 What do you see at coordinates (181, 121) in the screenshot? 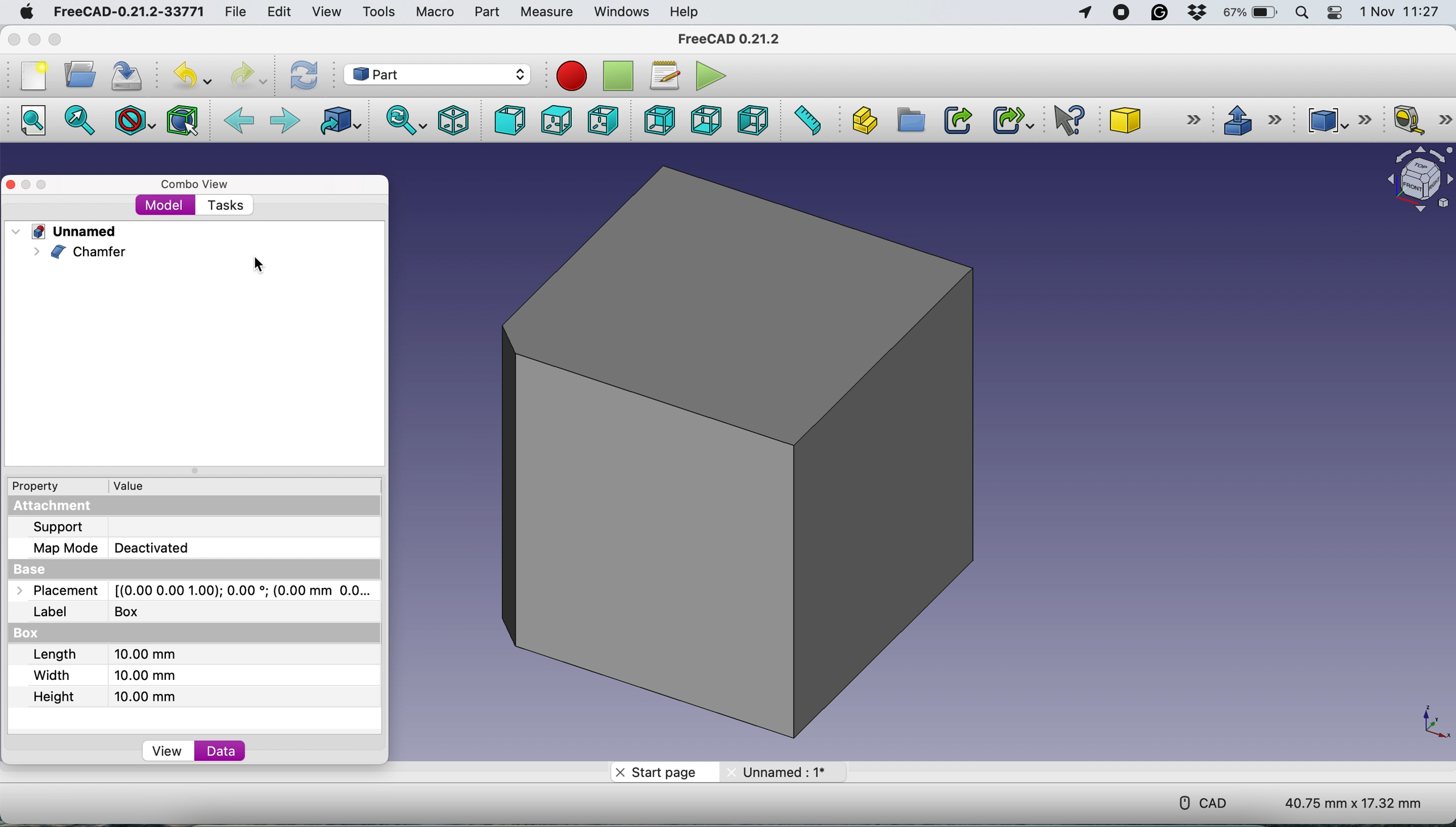
I see `bounding box` at bounding box center [181, 121].